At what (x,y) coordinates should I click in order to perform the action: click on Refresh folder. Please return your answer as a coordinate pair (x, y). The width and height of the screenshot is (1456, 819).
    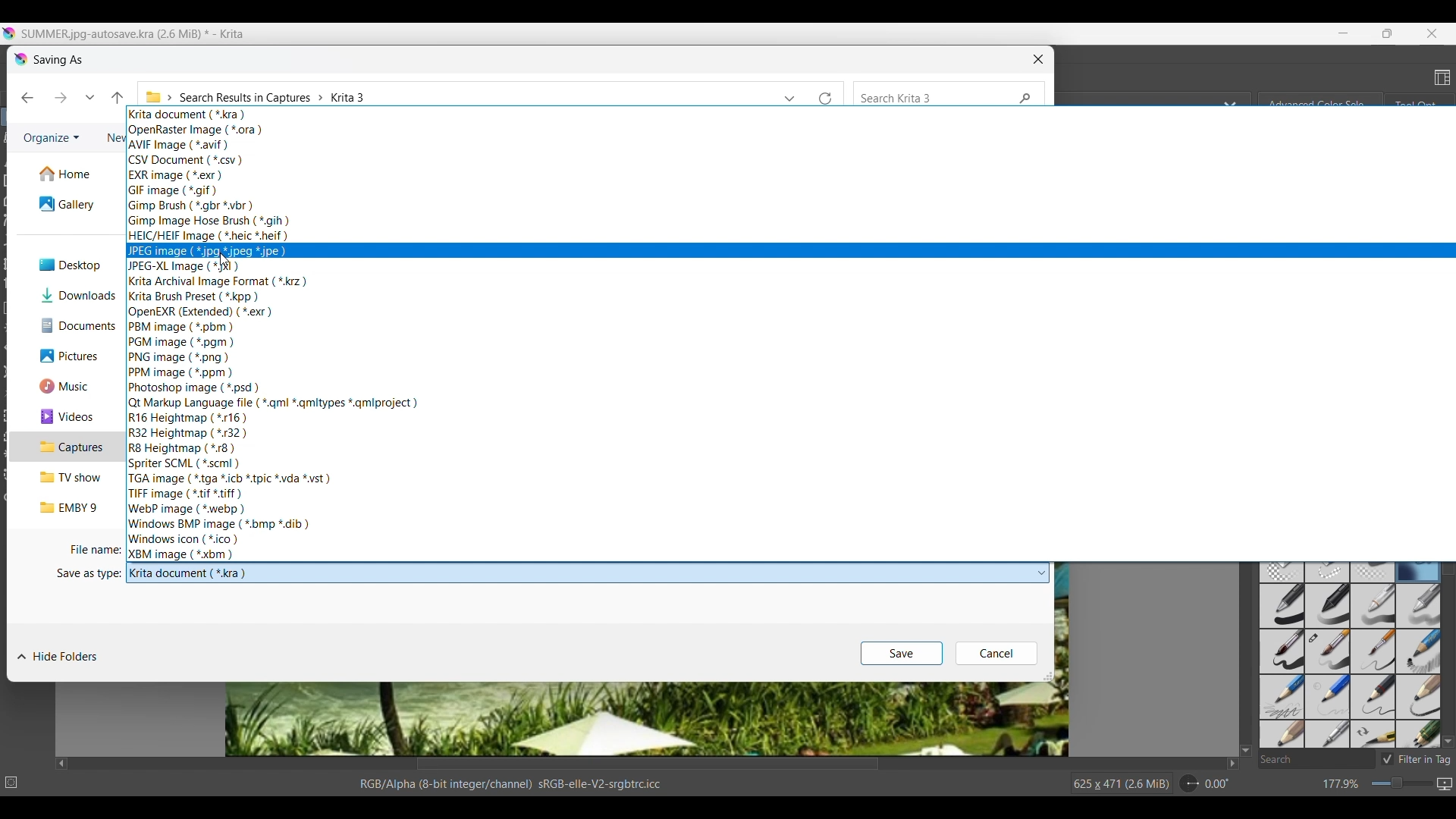
    Looking at the image, I should click on (829, 94).